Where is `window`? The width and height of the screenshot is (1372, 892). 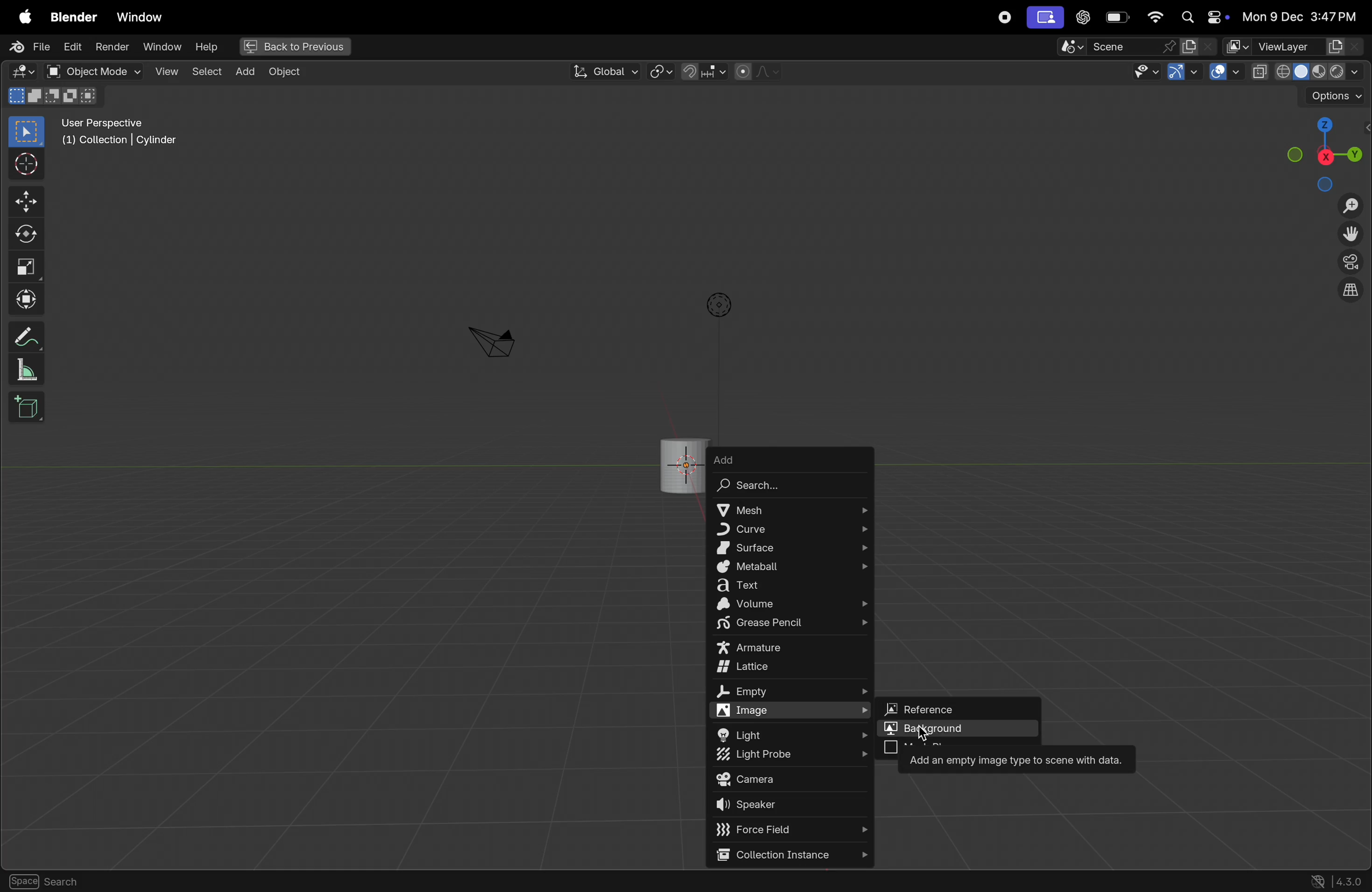
window is located at coordinates (161, 48).